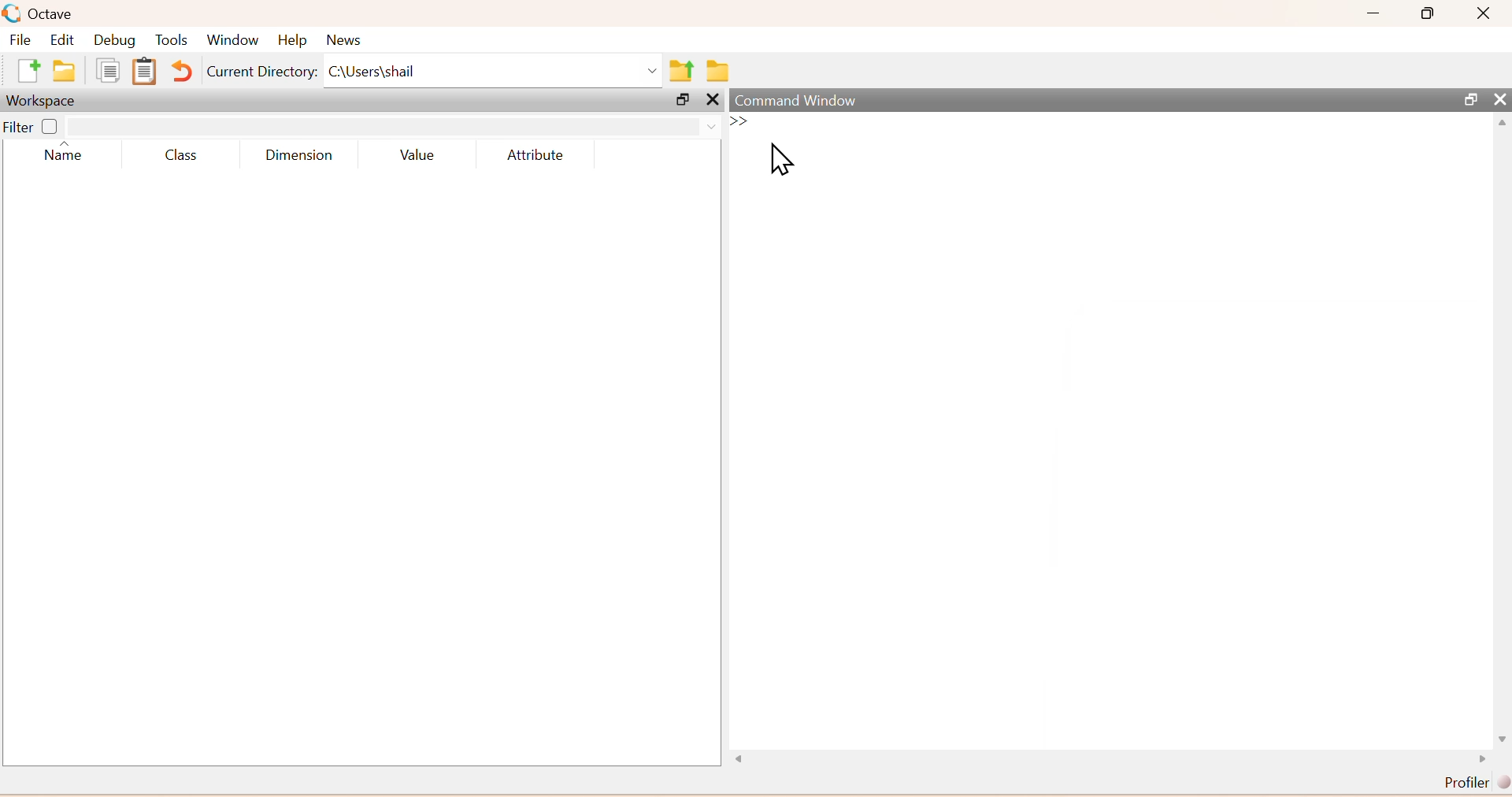 The image size is (1512, 797). Describe the element at coordinates (291, 42) in the screenshot. I see `Help` at that location.